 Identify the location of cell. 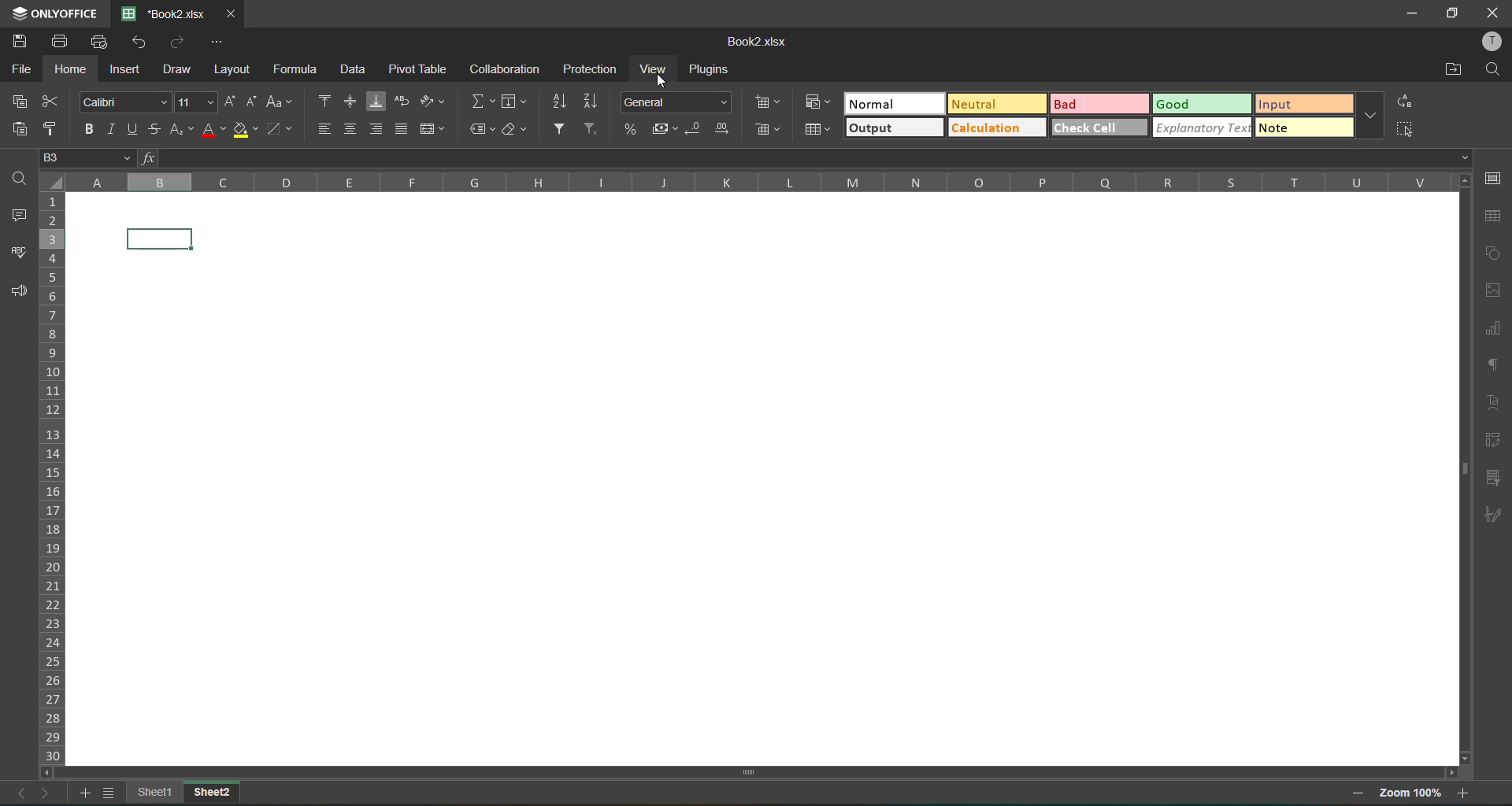
(162, 239).